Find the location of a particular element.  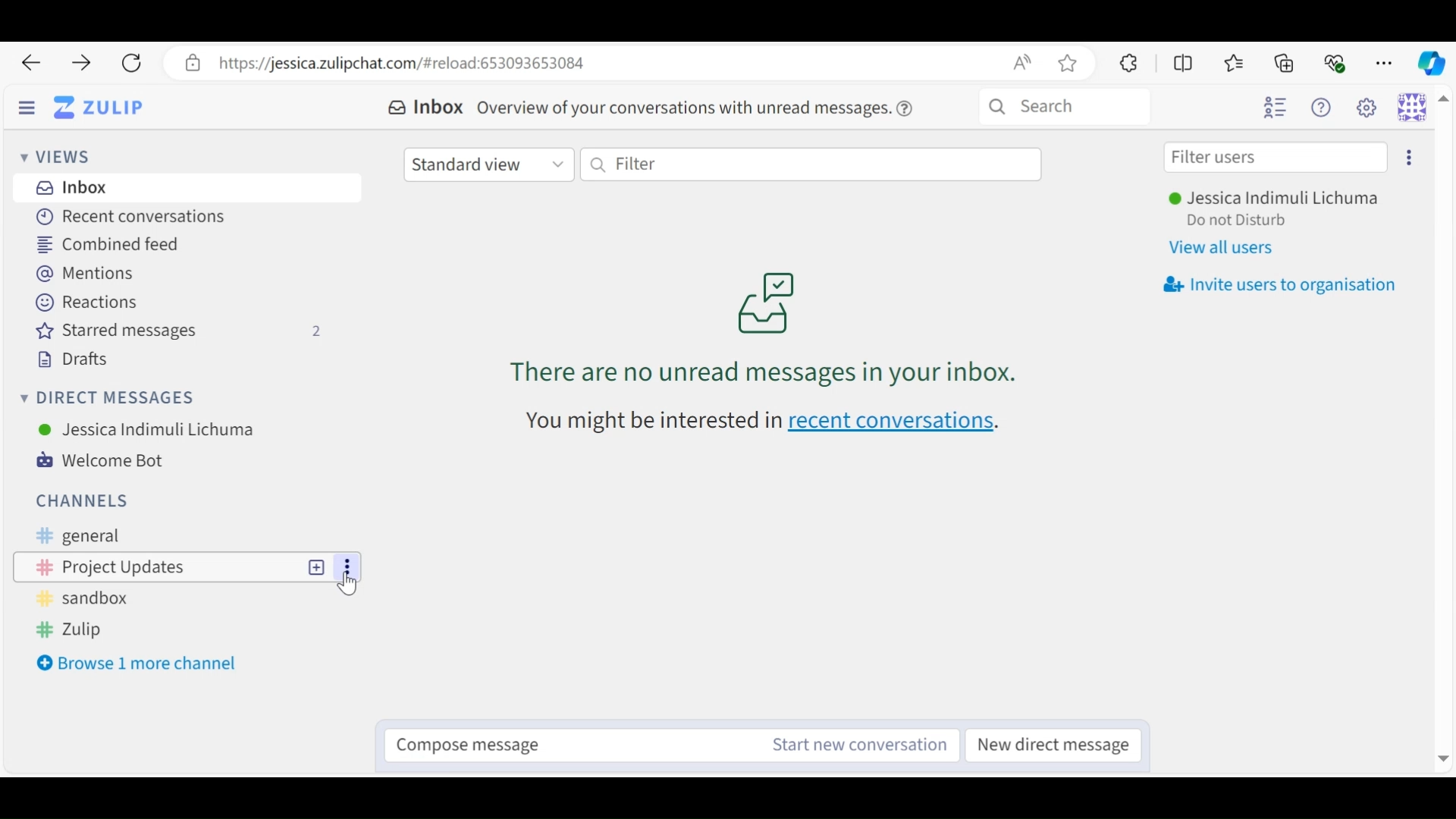

Hide  is located at coordinates (27, 109).